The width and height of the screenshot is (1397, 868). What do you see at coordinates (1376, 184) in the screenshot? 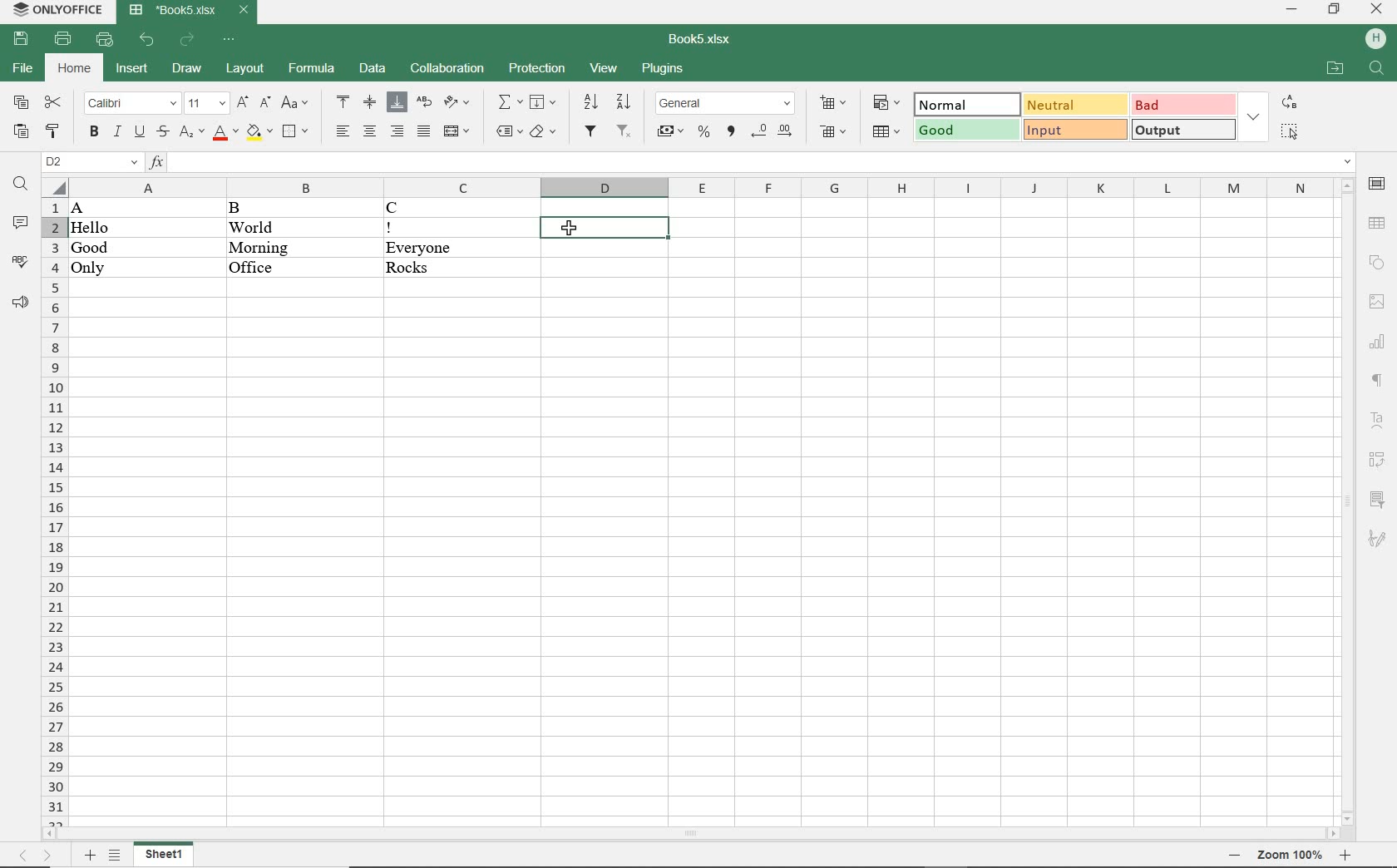
I see `CELL SETTINGS` at bounding box center [1376, 184].